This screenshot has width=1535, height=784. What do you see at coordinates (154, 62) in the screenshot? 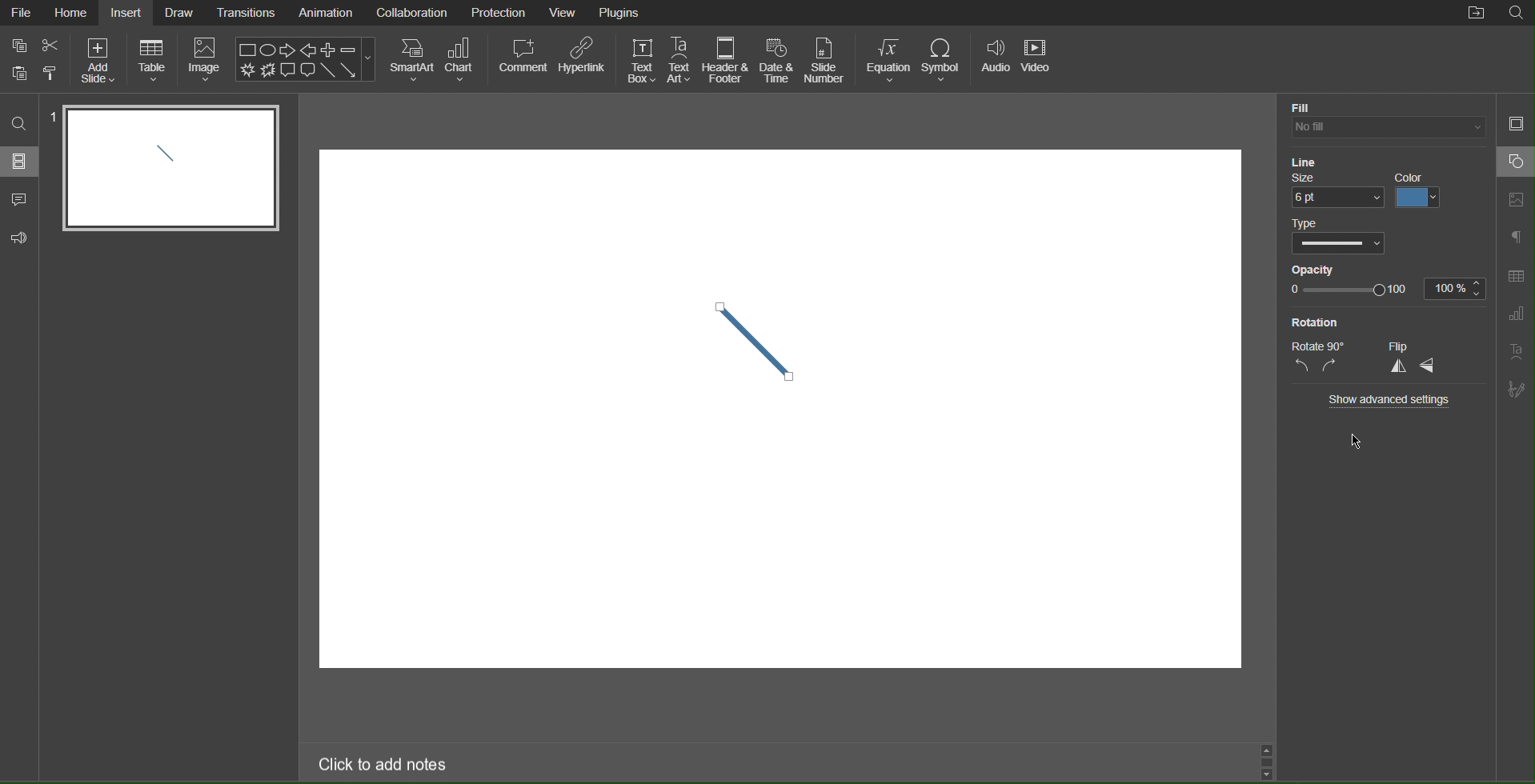
I see `Table` at bounding box center [154, 62].